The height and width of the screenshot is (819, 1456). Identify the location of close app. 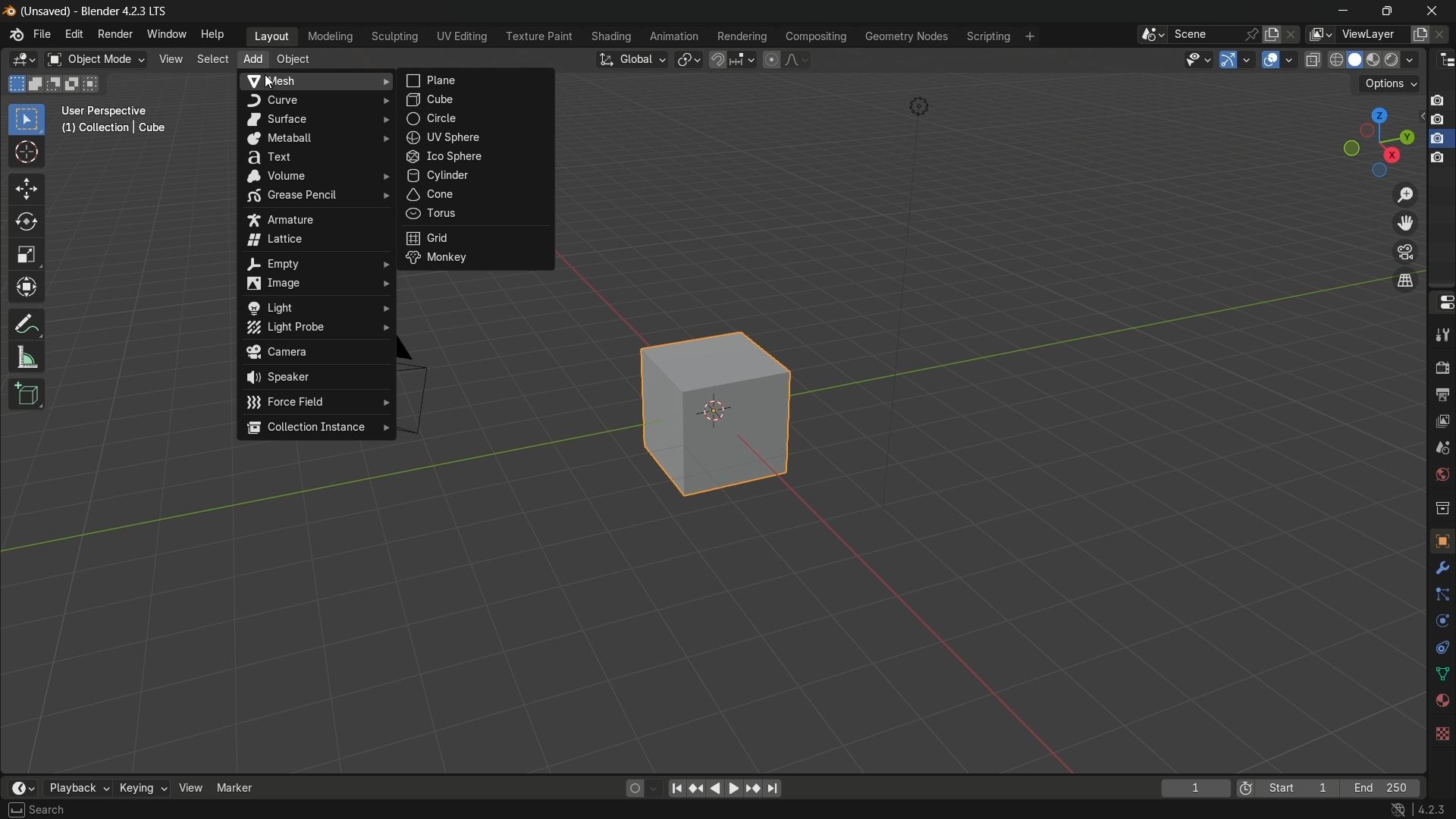
(1436, 11).